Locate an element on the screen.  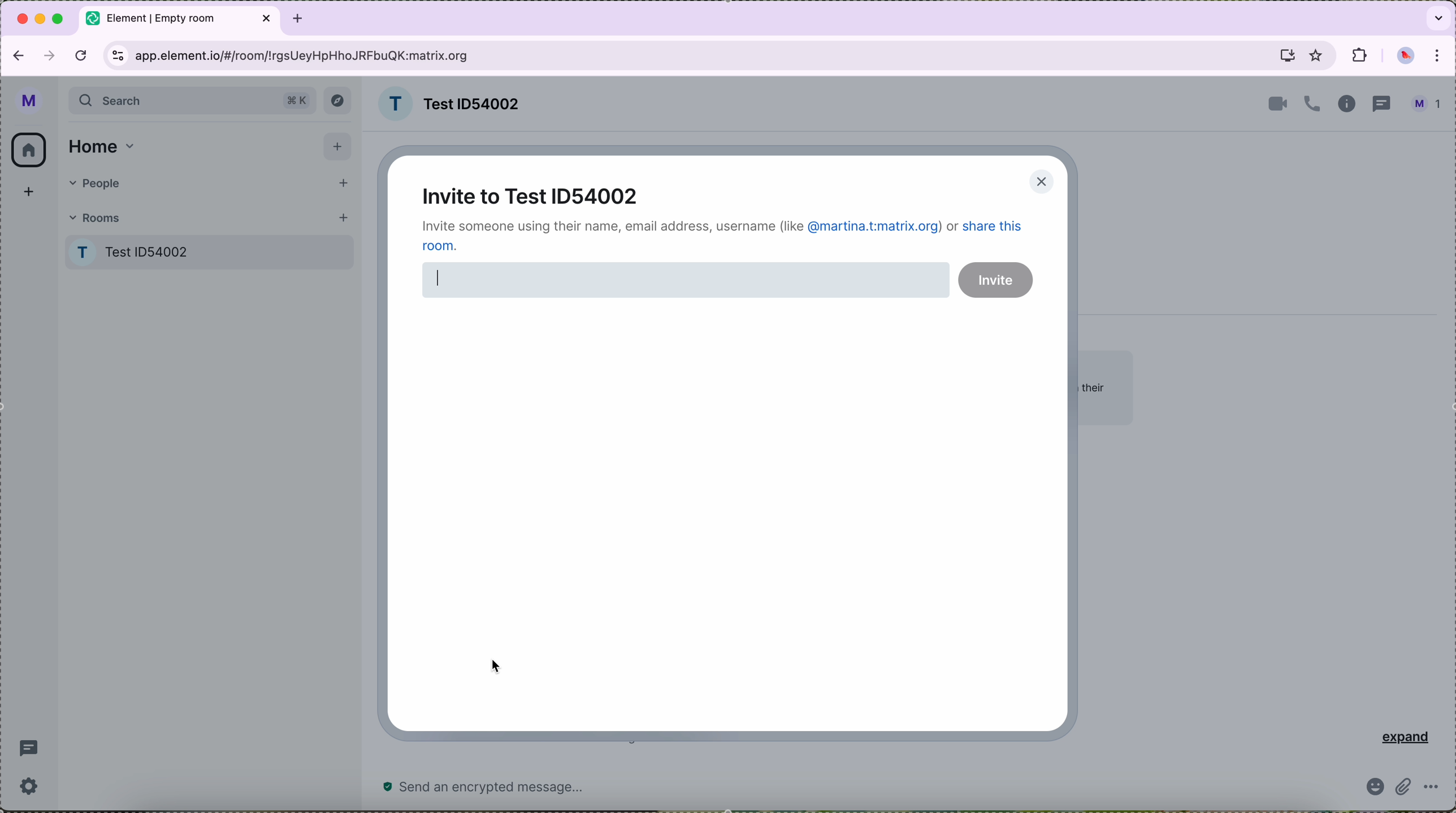
screen is located at coordinates (1285, 58).